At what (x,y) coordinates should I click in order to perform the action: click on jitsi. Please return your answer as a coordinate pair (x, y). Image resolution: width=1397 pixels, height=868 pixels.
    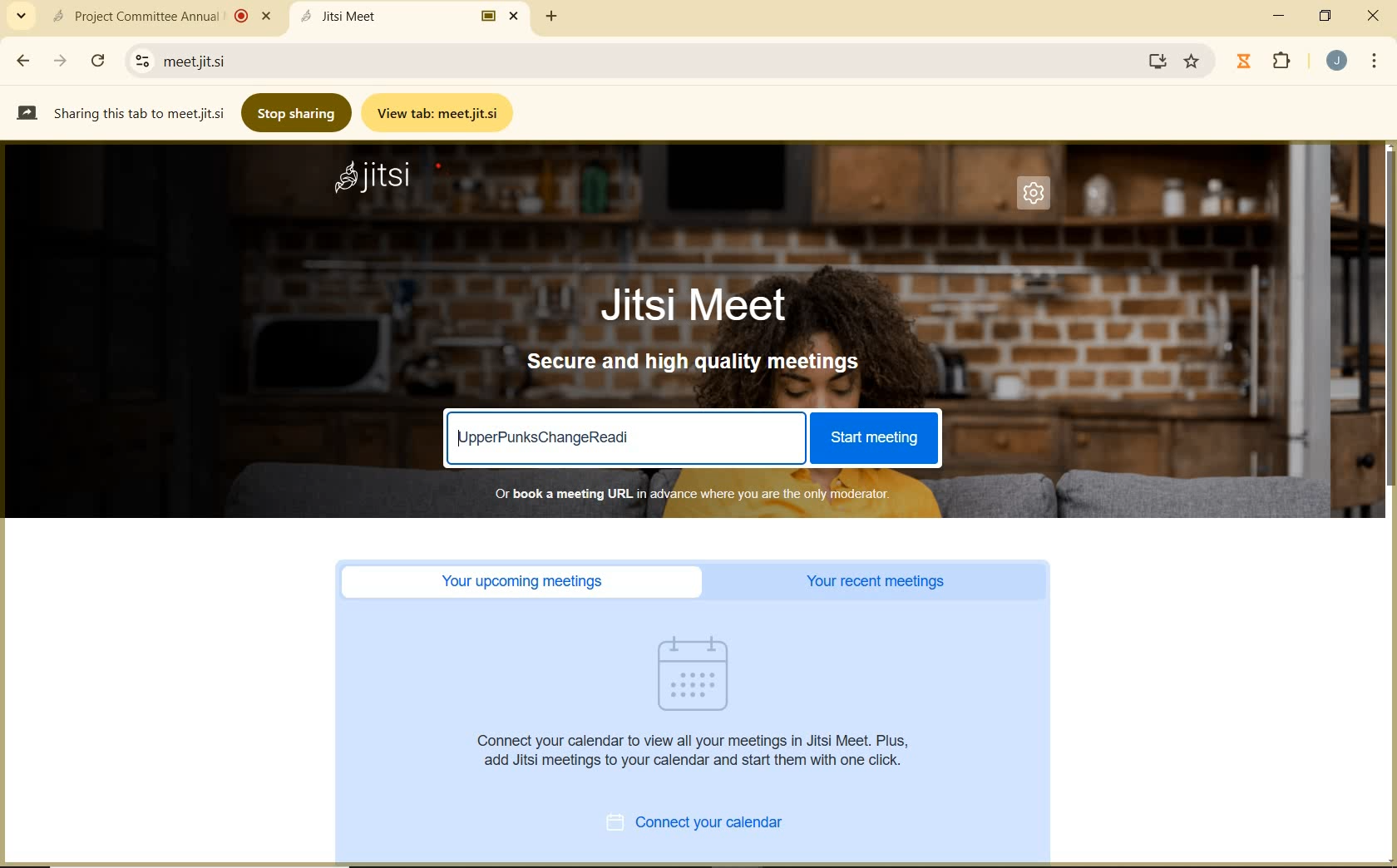
    Looking at the image, I should click on (373, 180).